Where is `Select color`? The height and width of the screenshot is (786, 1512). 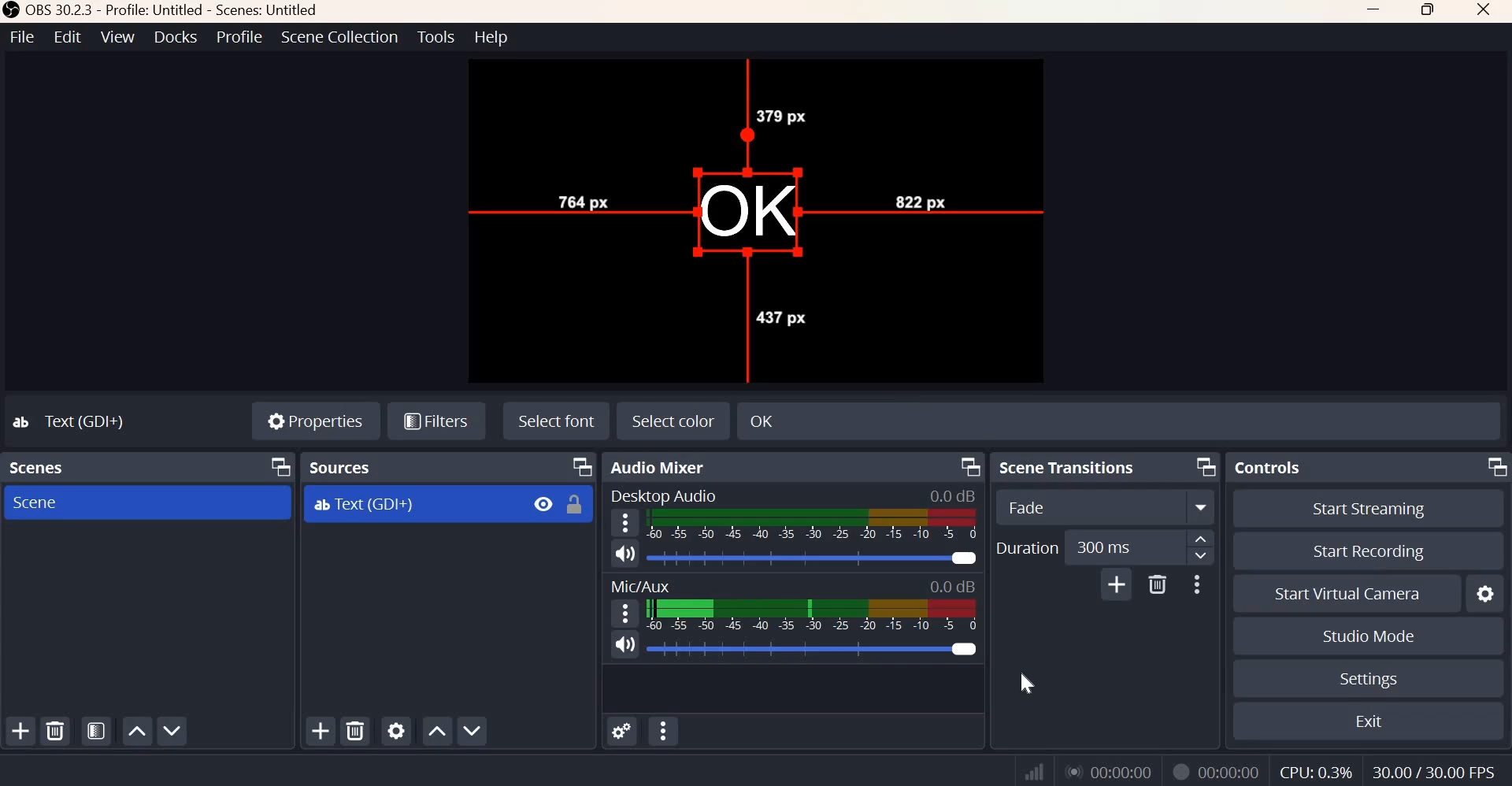 Select color is located at coordinates (672, 421).